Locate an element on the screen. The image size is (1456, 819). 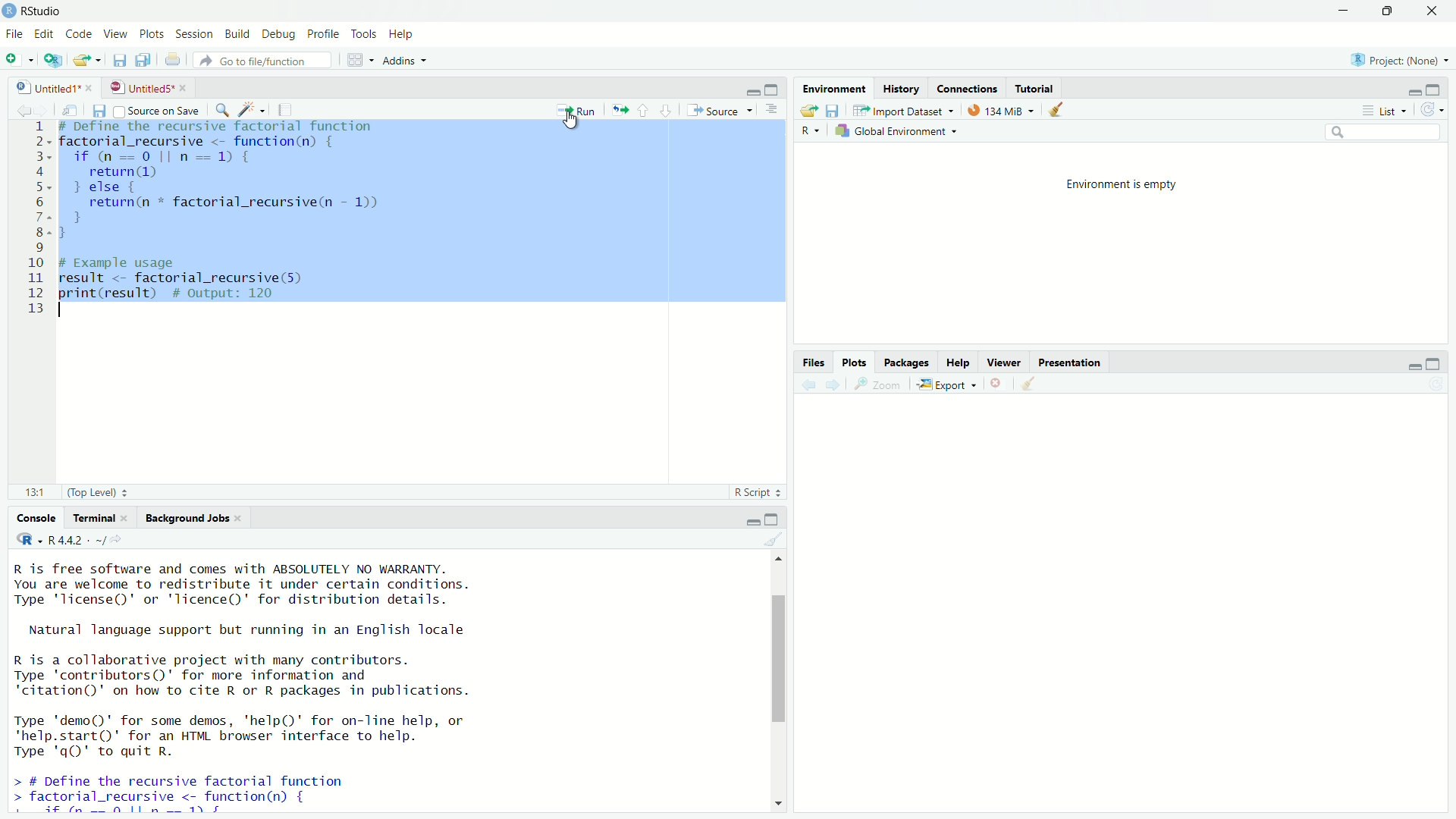
File is located at coordinates (12, 36).